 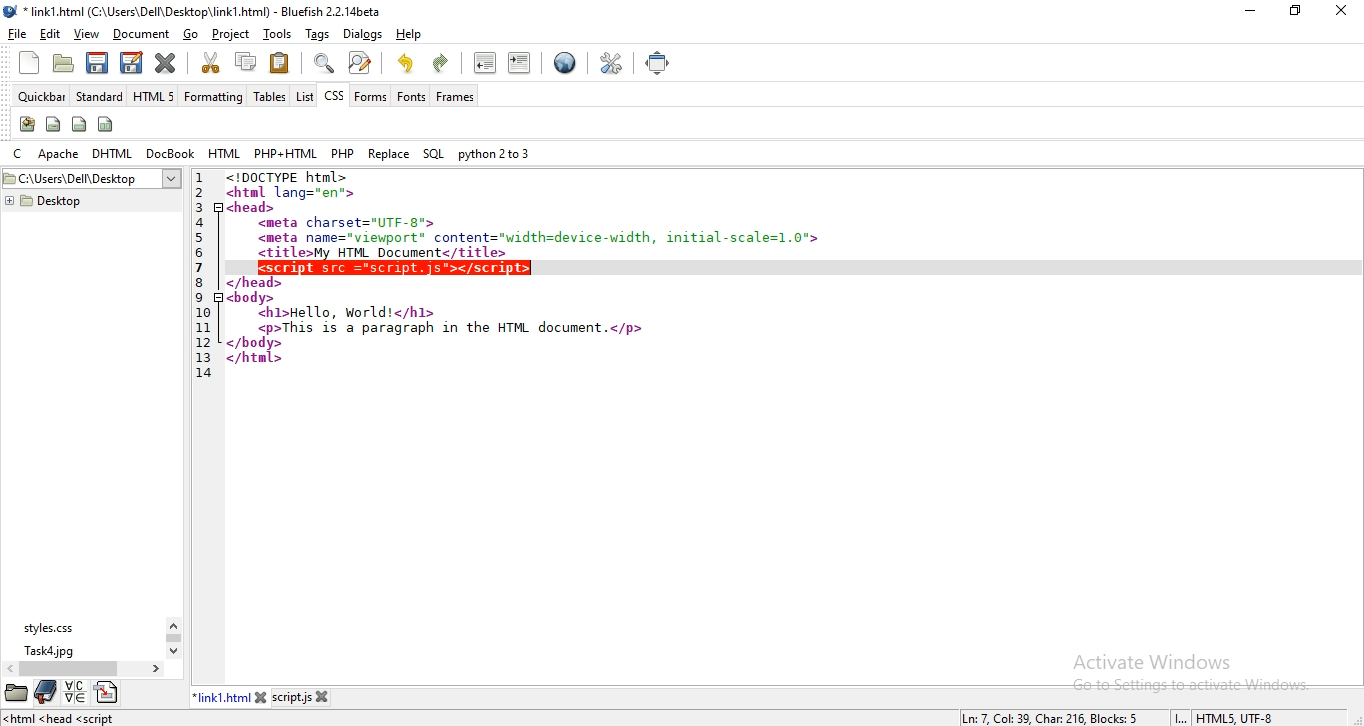 I want to click on <html<head<script, so click(x=61, y=717).